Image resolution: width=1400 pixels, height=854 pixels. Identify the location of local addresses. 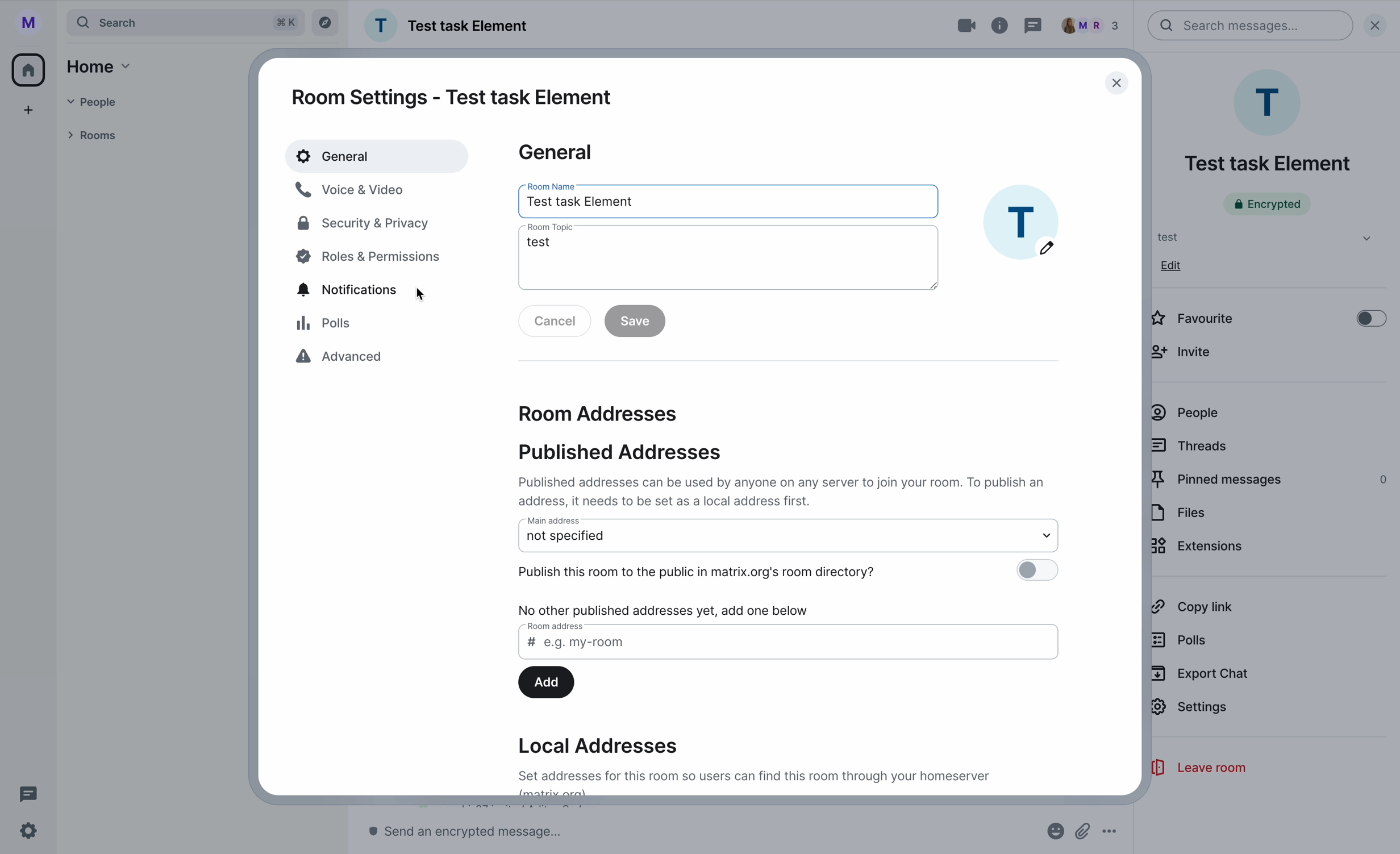
(598, 746).